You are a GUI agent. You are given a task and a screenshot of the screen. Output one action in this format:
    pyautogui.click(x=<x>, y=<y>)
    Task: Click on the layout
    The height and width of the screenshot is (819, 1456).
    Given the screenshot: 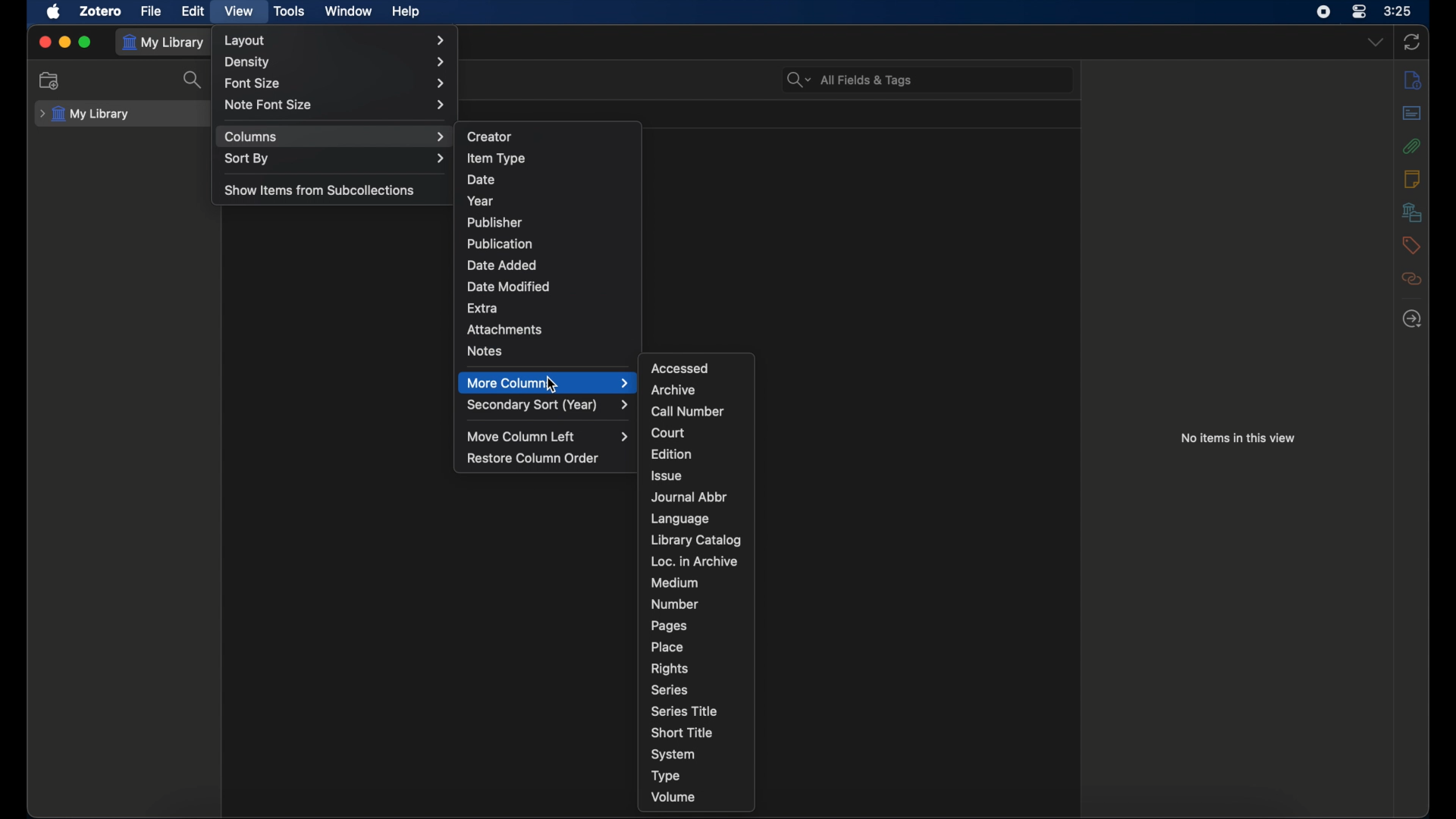 What is the action you would take?
    pyautogui.click(x=336, y=40)
    